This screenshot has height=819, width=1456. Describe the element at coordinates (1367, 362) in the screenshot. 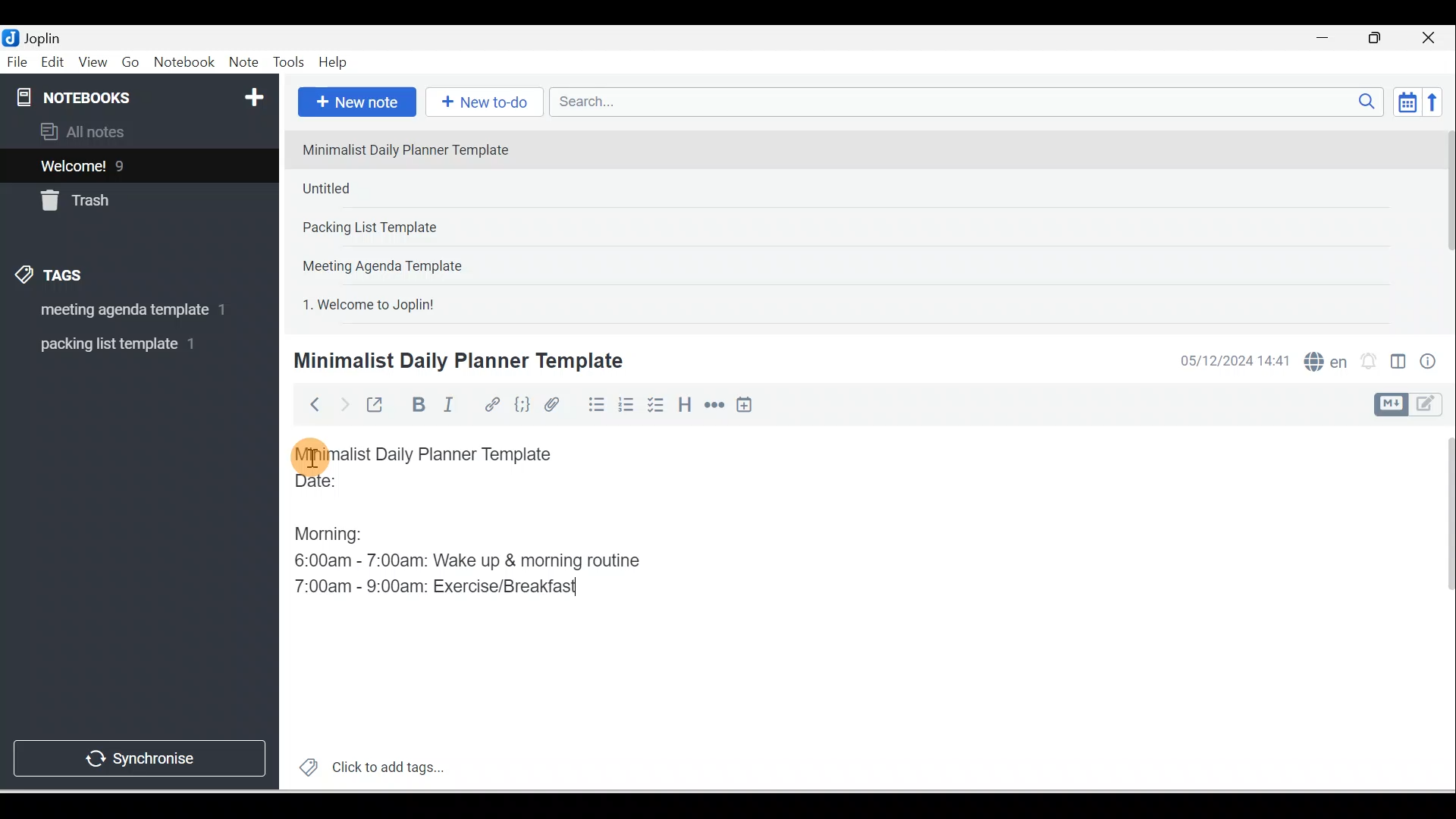

I see `Set alarm` at that location.